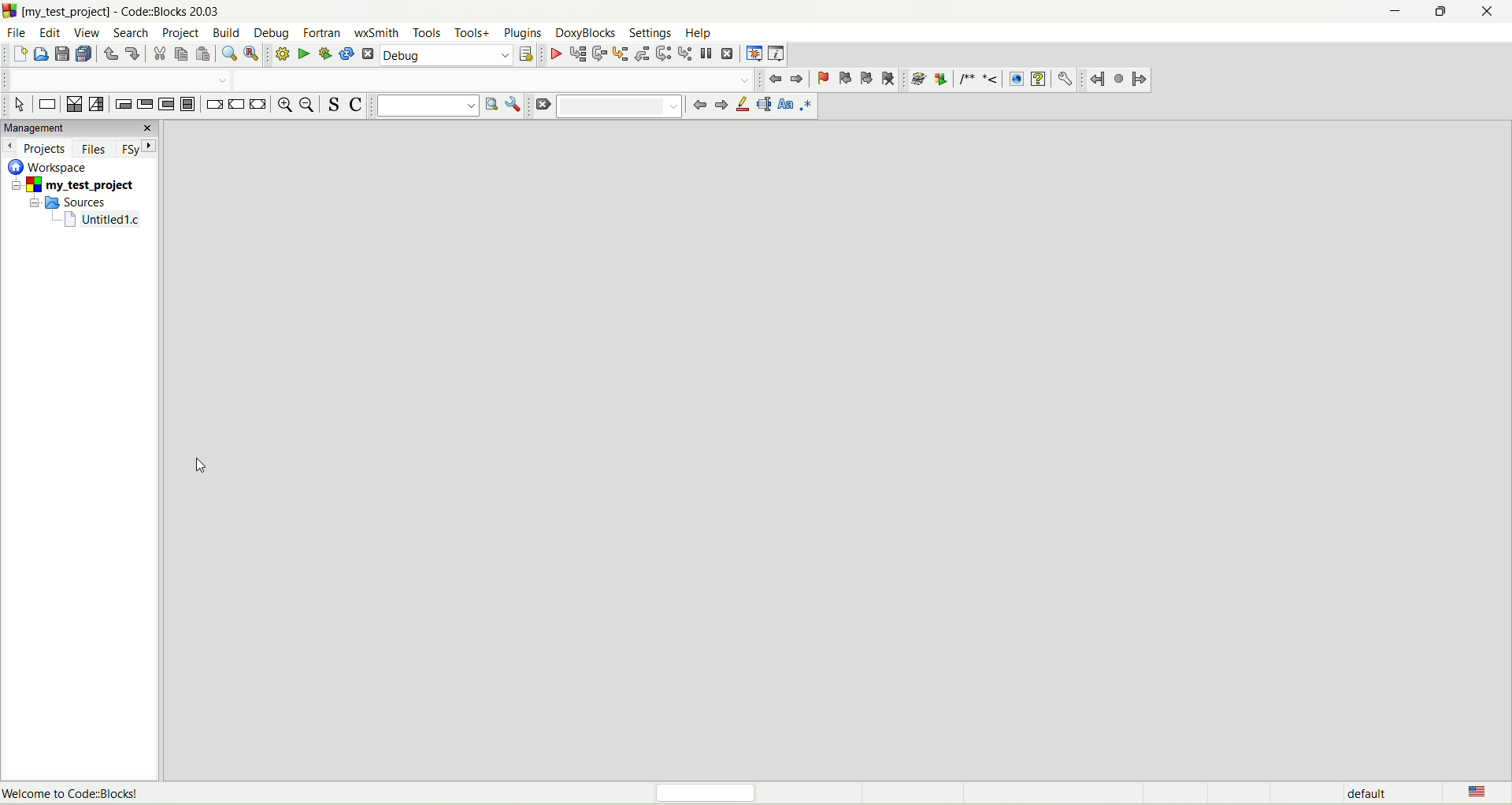 This screenshot has height=805, width=1512. Describe the element at coordinates (37, 150) in the screenshot. I see `projects` at that location.